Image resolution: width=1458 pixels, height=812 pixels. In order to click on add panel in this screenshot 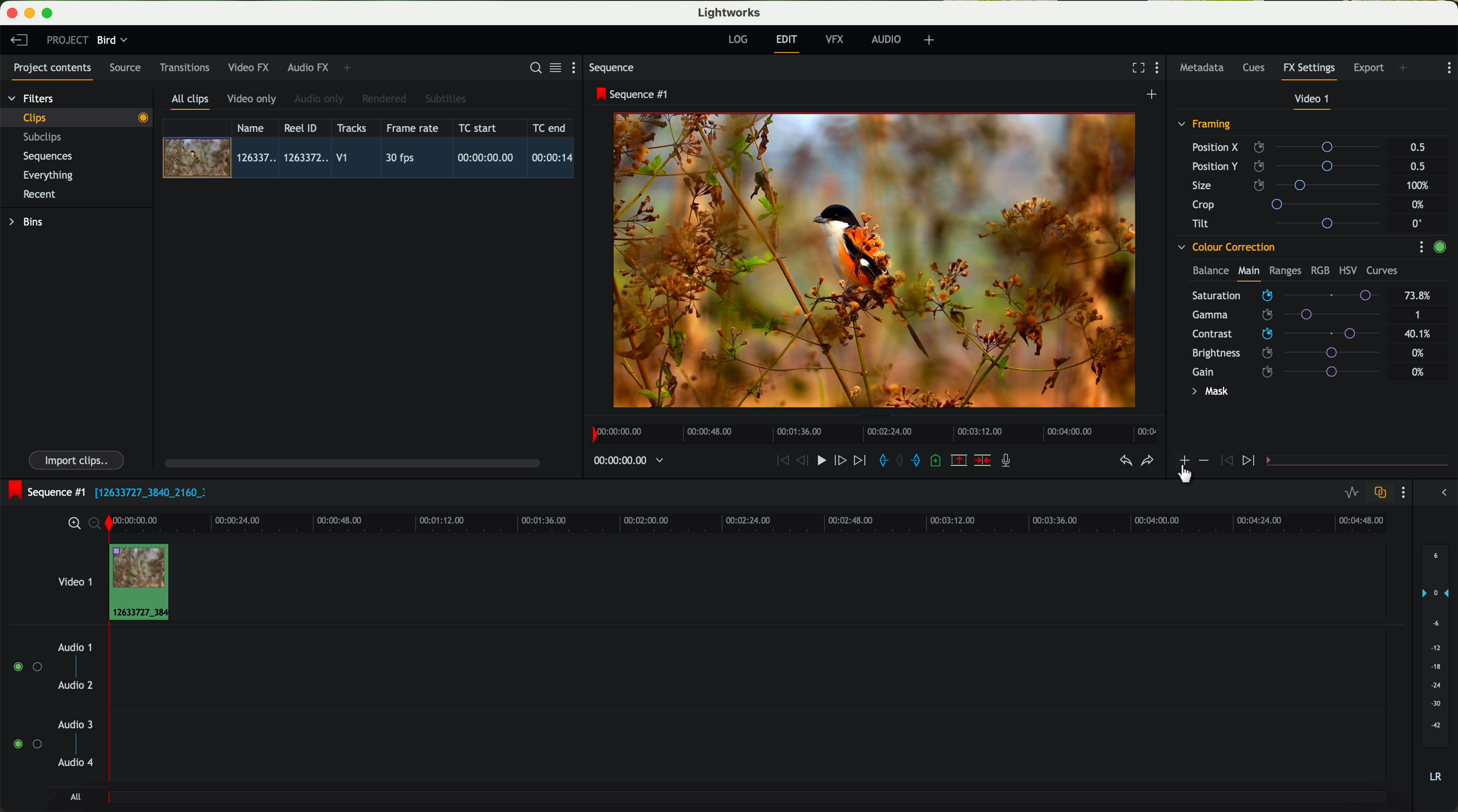, I will do `click(350, 68)`.